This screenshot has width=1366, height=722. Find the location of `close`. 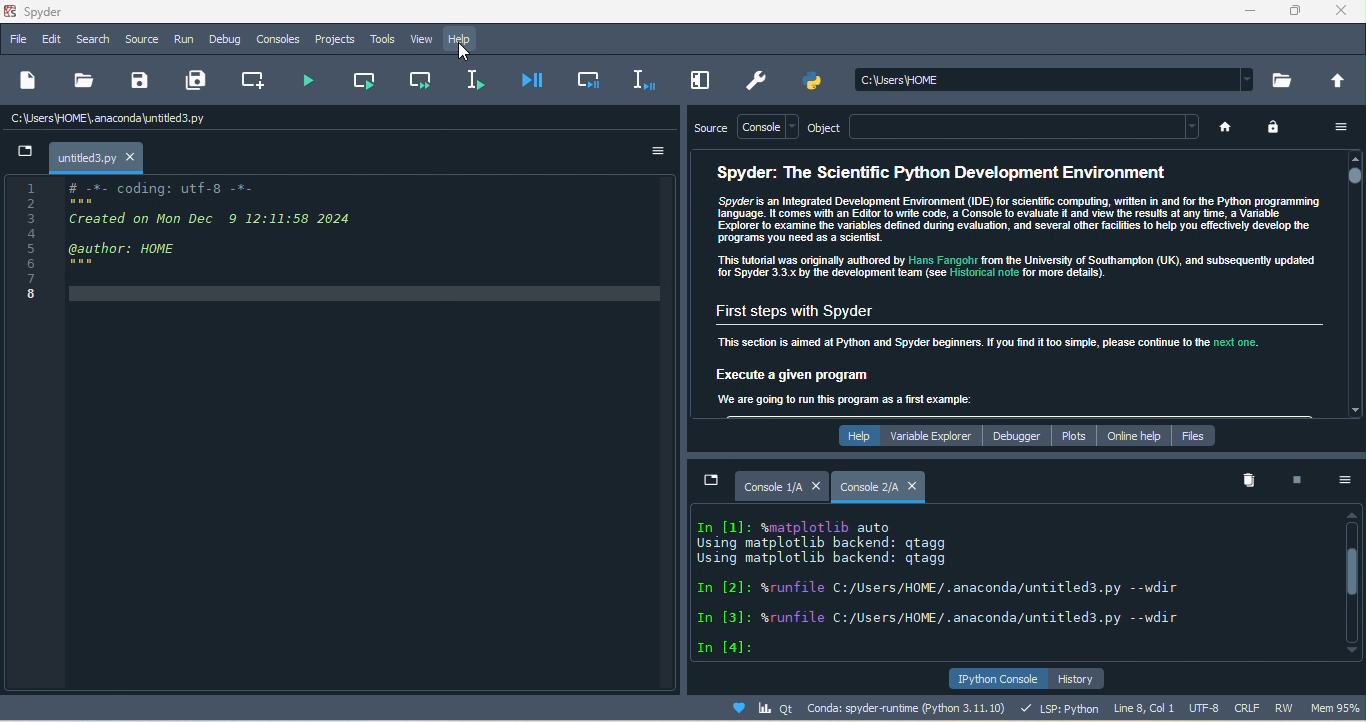

close is located at coordinates (916, 486).